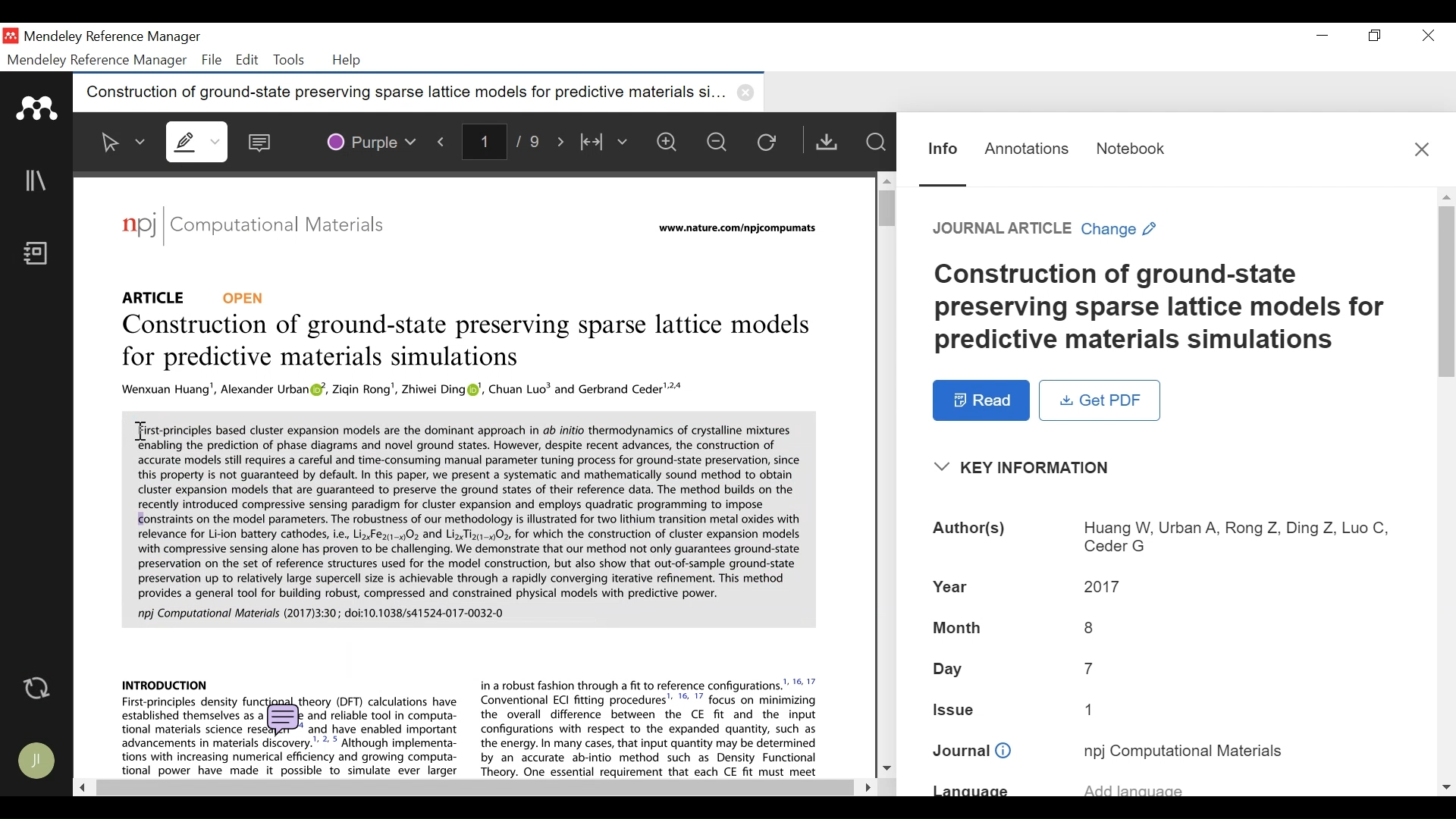 The width and height of the screenshot is (1456, 819). Describe the element at coordinates (1027, 149) in the screenshot. I see `Annotation` at that location.